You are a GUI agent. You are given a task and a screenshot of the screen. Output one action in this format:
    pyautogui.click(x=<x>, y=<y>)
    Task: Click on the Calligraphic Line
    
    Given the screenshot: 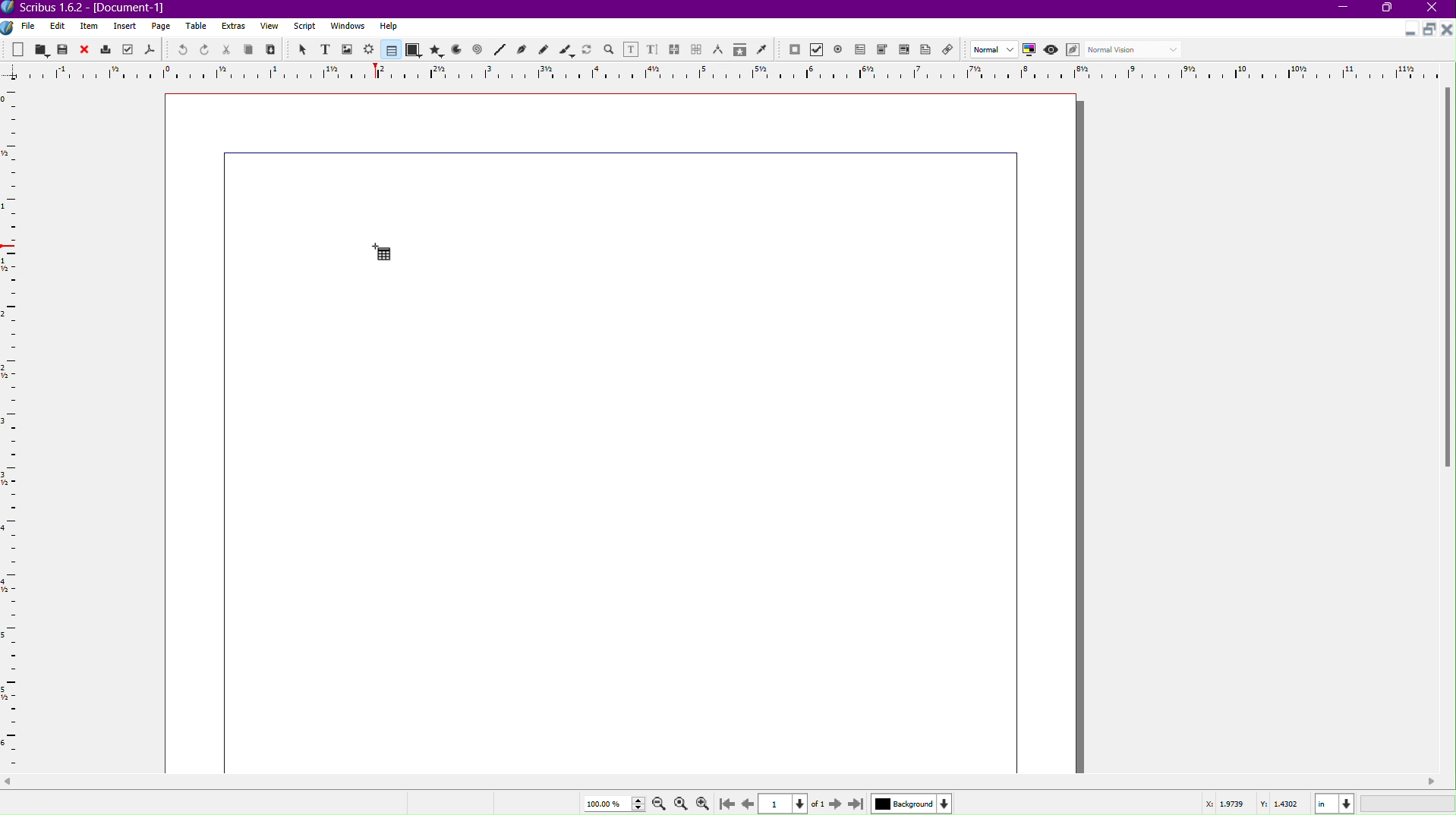 What is the action you would take?
    pyautogui.click(x=566, y=49)
    